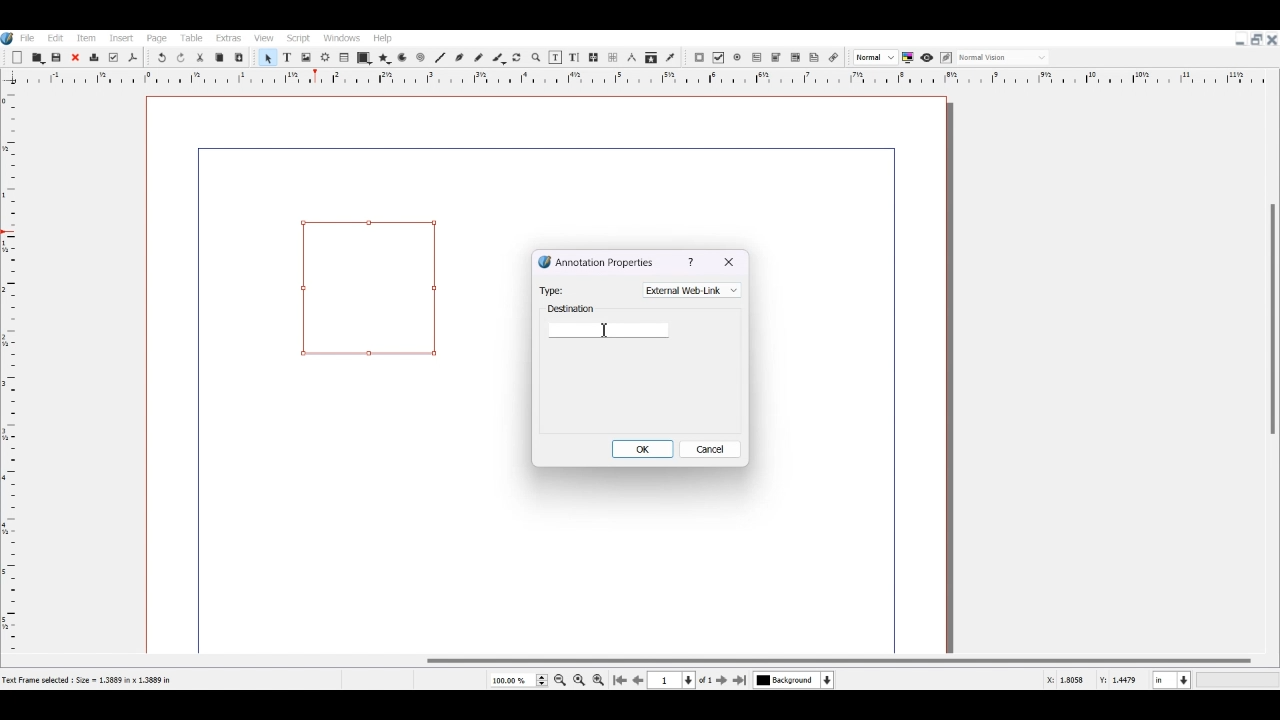 The height and width of the screenshot is (720, 1280). I want to click on Go to Last Page, so click(742, 681).